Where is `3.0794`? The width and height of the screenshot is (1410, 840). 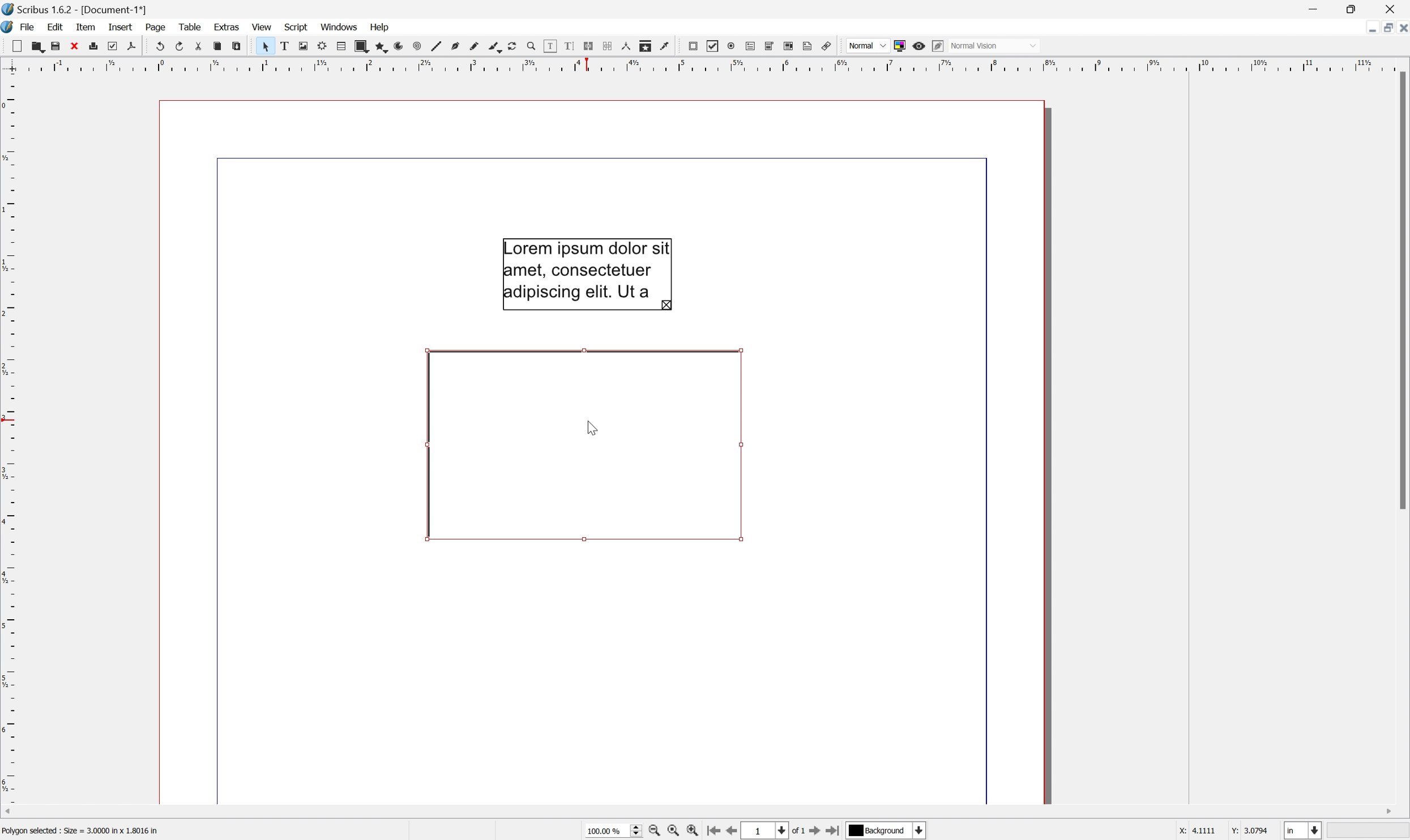 3.0794 is located at coordinates (1258, 832).